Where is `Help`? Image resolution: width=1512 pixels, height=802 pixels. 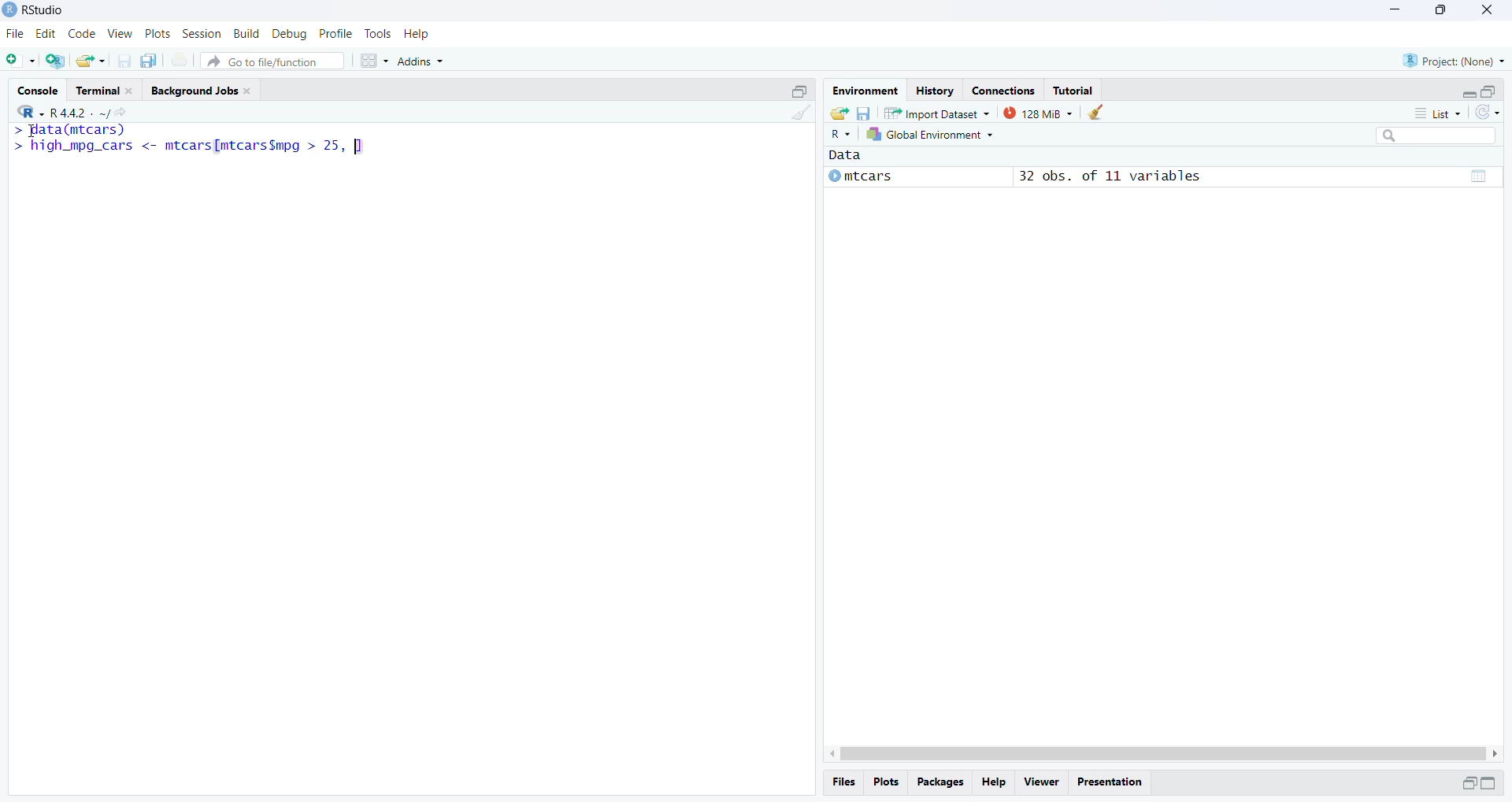 Help is located at coordinates (994, 783).